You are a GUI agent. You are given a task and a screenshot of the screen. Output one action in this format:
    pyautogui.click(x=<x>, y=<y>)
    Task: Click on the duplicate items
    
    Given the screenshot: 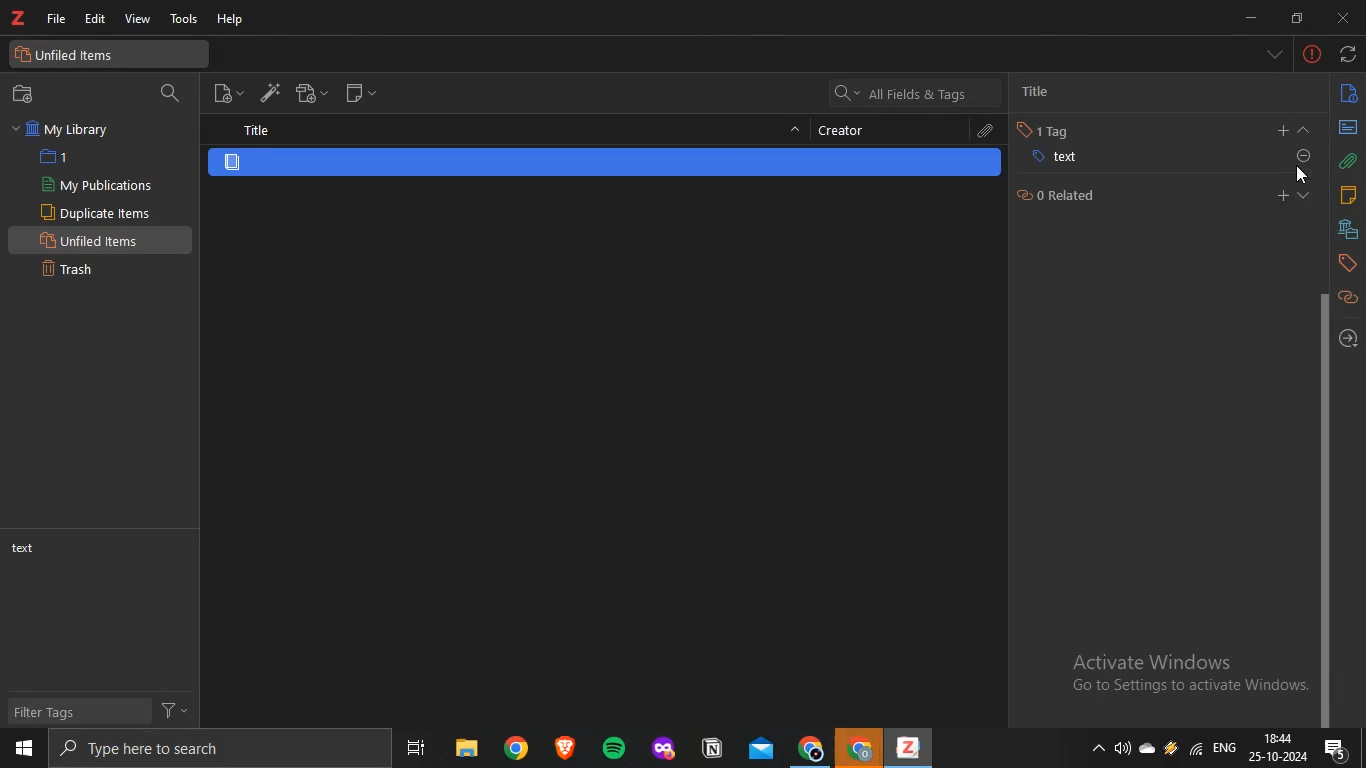 What is the action you would take?
    pyautogui.click(x=99, y=212)
    